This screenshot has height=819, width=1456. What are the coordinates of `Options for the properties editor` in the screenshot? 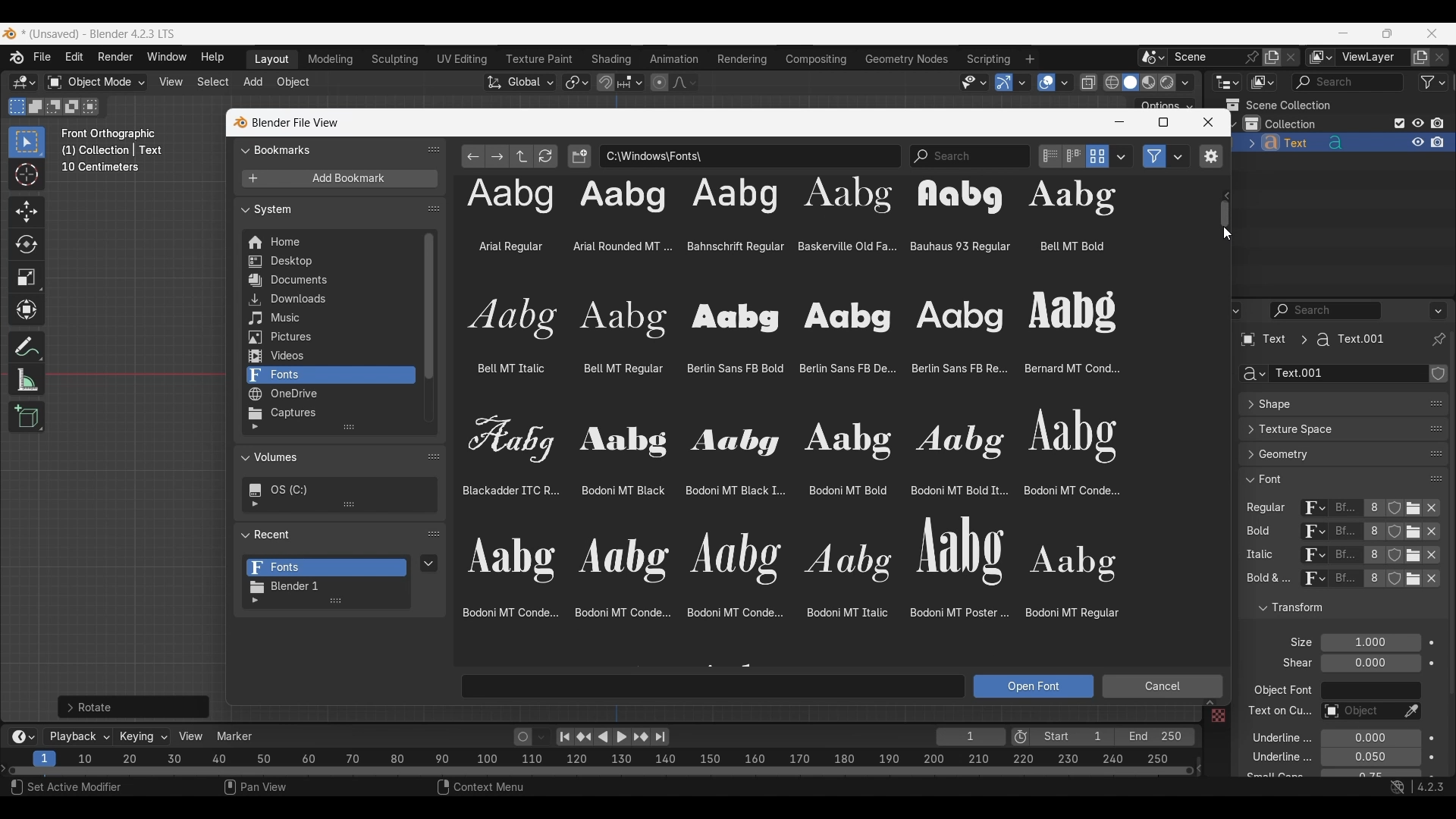 It's located at (1439, 310).